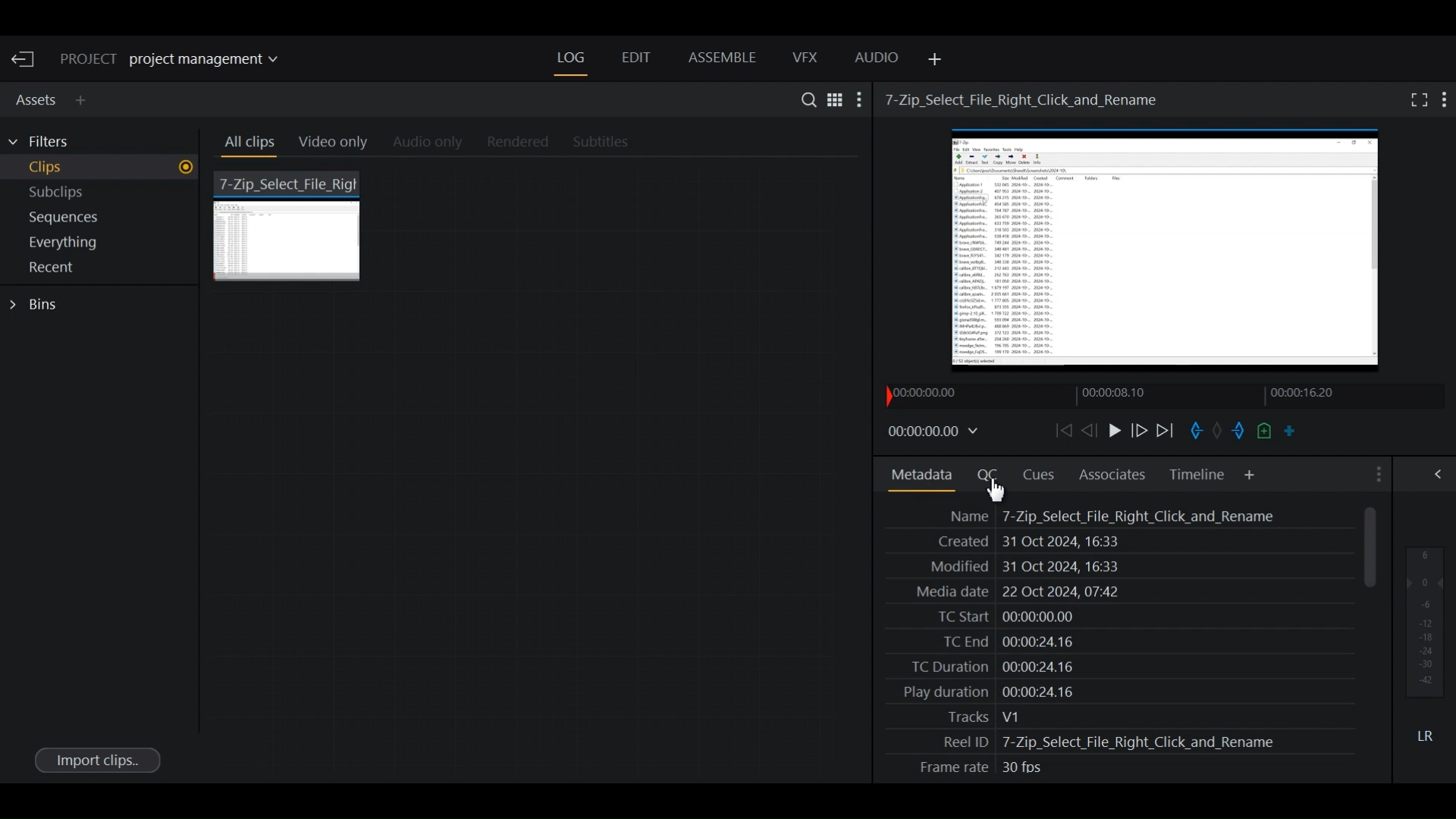 Image resolution: width=1456 pixels, height=819 pixels. I want to click on Show settings menu, so click(1376, 475).